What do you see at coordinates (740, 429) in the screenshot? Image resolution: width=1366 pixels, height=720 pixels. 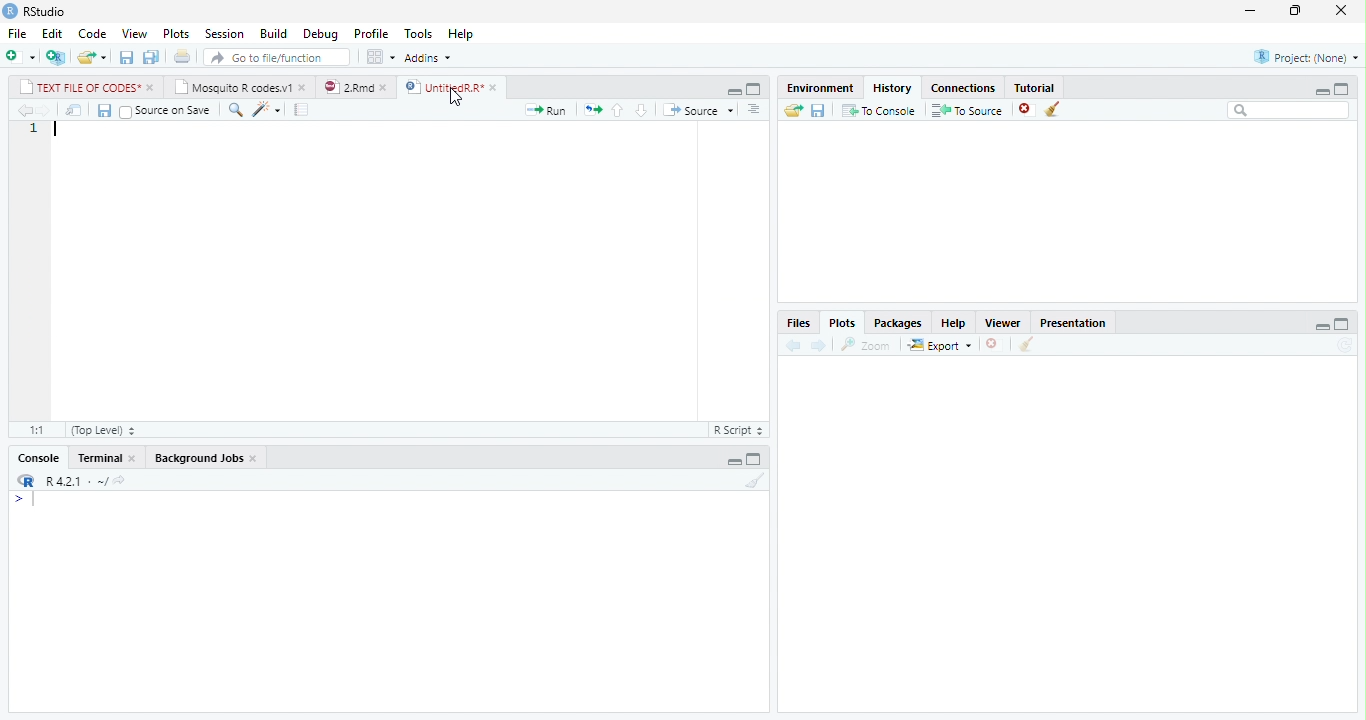 I see `R Script` at bounding box center [740, 429].